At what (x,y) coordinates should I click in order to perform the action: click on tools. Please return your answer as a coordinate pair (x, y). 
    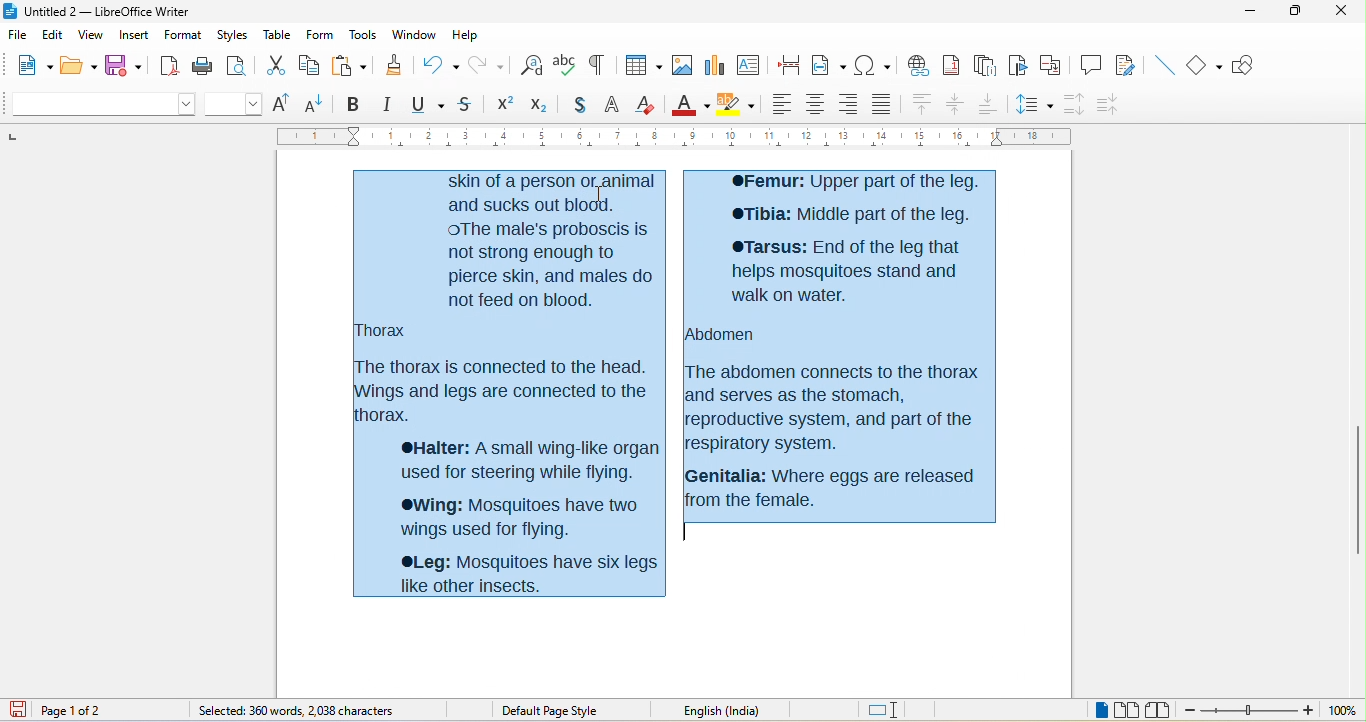
    Looking at the image, I should click on (363, 36).